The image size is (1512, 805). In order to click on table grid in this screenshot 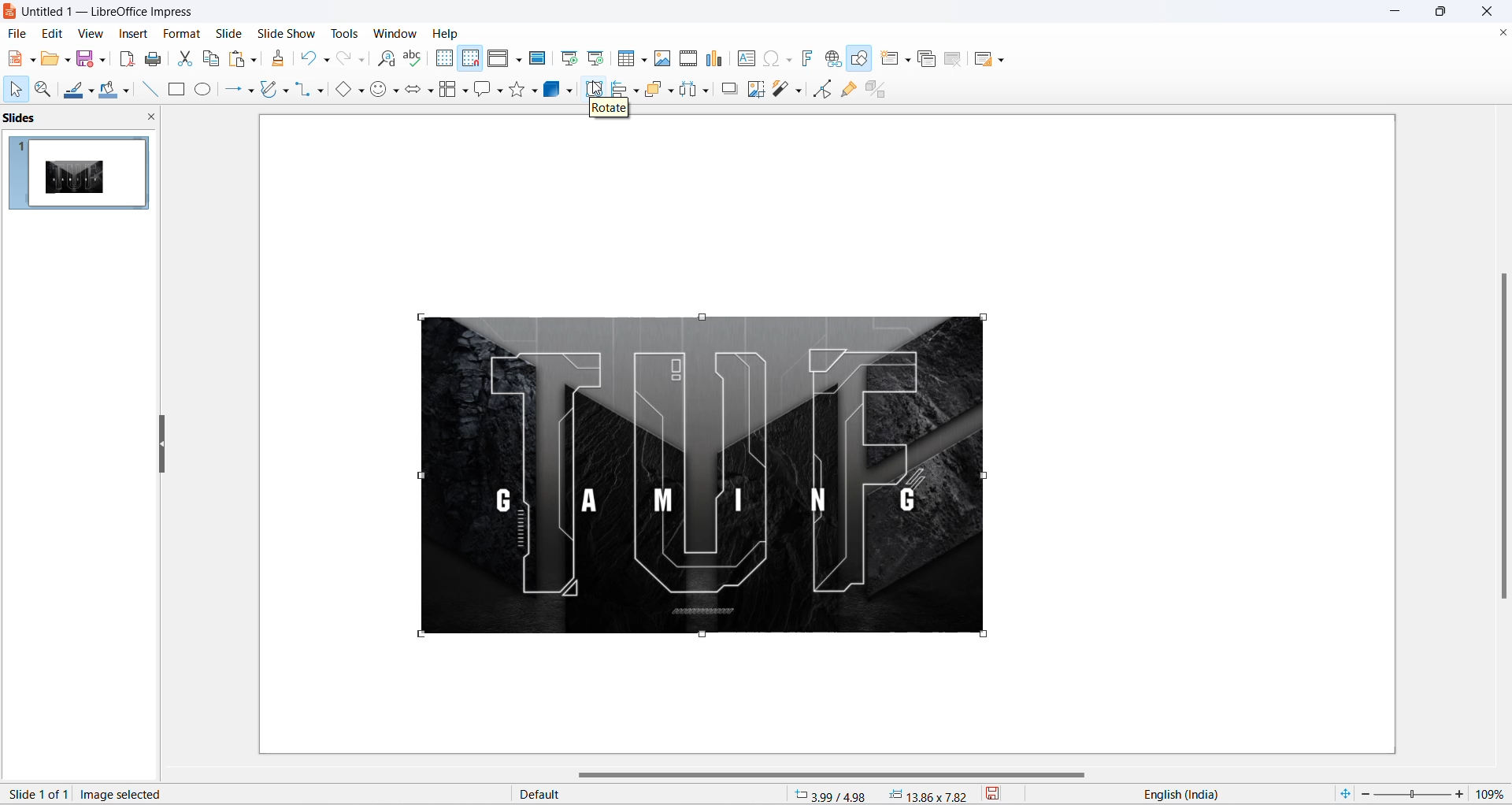, I will do `click(645, 60)`.